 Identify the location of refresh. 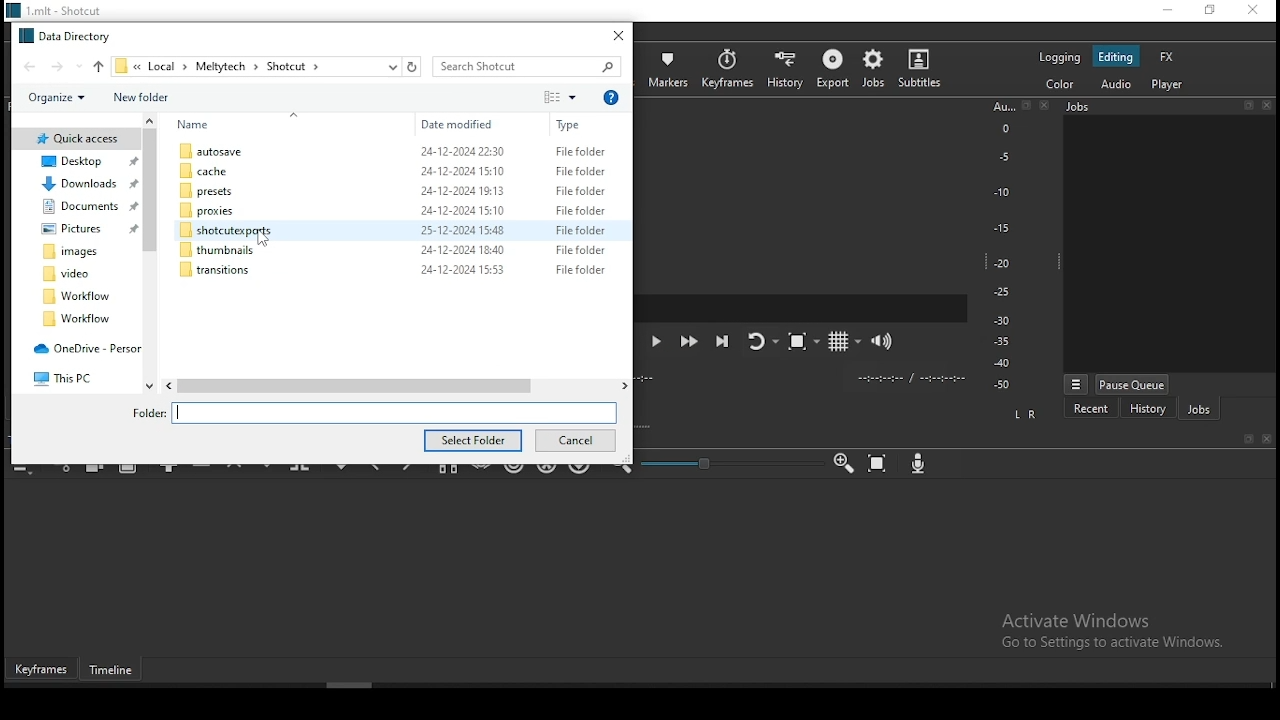
(411, 67).